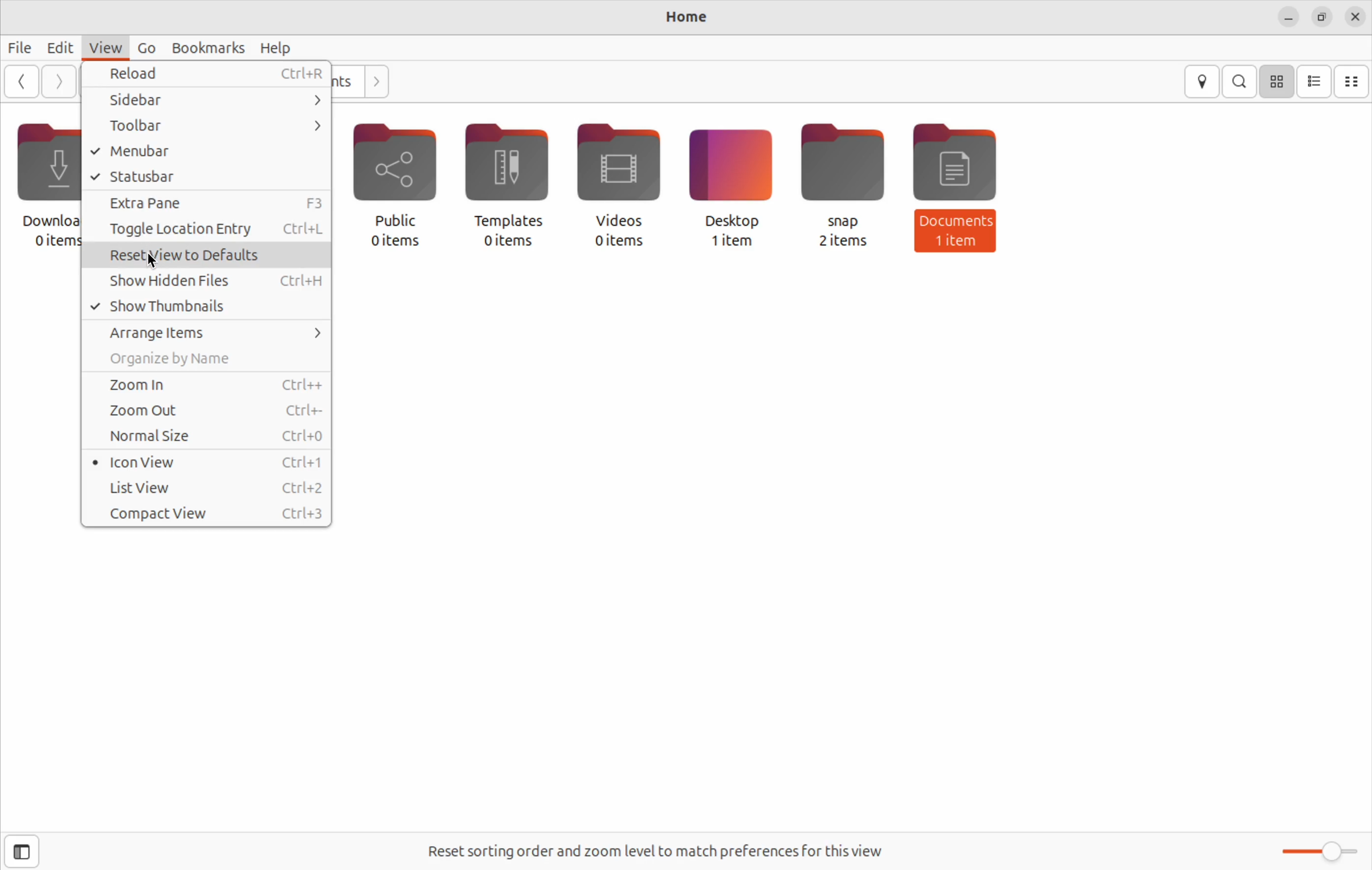  What do you see at coordinates (59, 48) in the screenshot?
I see `Edit` at bounding box center [59, 48].